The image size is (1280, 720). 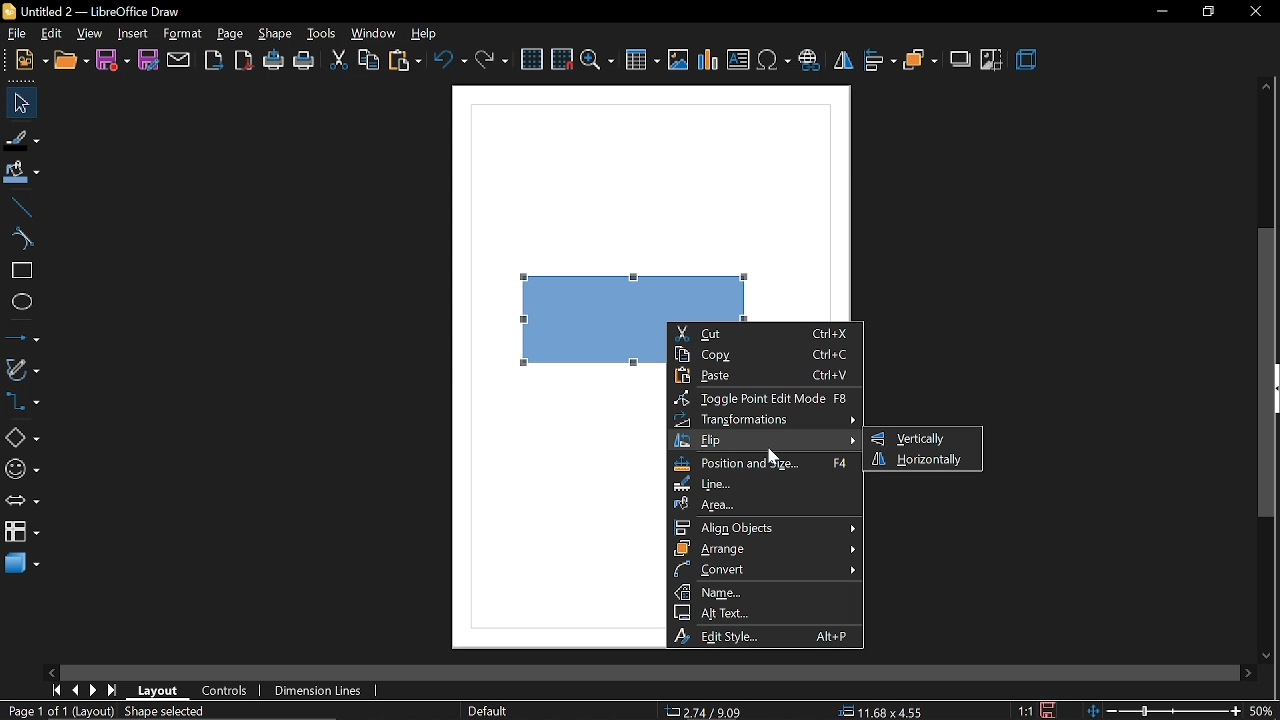 I want to click on grid, so click(x=531, y=60).